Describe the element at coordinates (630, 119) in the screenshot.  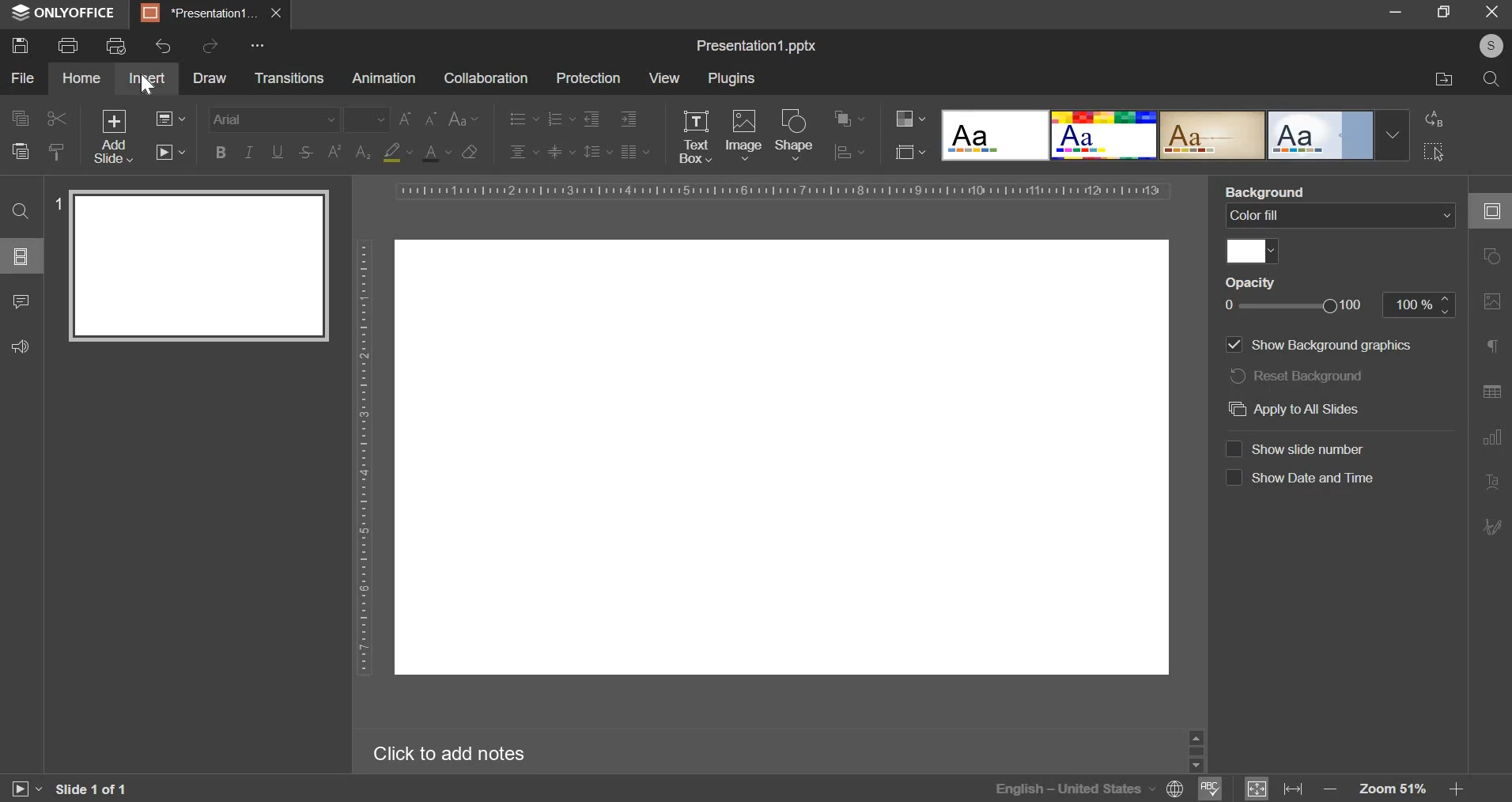
I see `increase indent` at that location.